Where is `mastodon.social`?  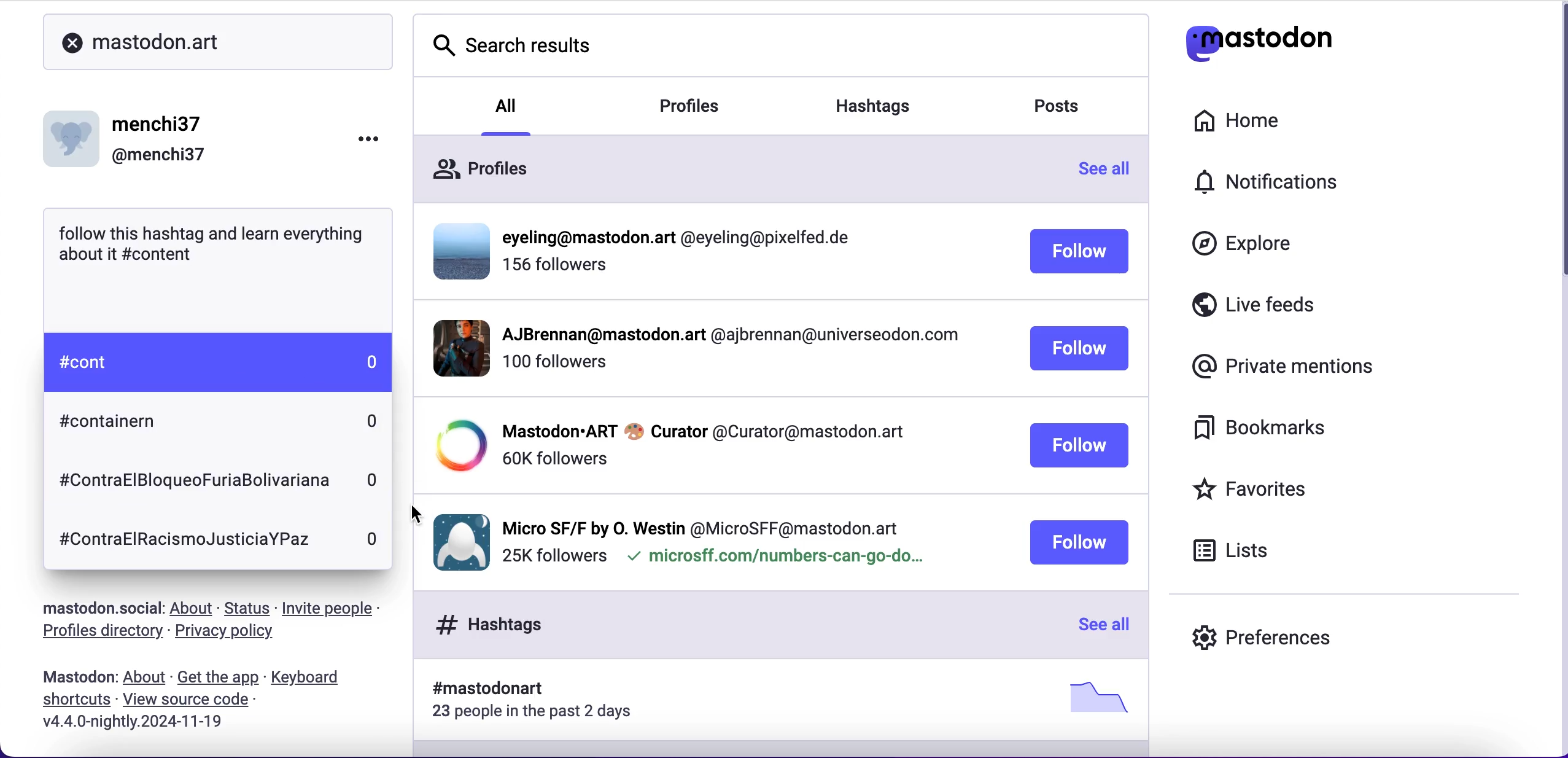
mastodon.social is located at coordinates (96, 606).